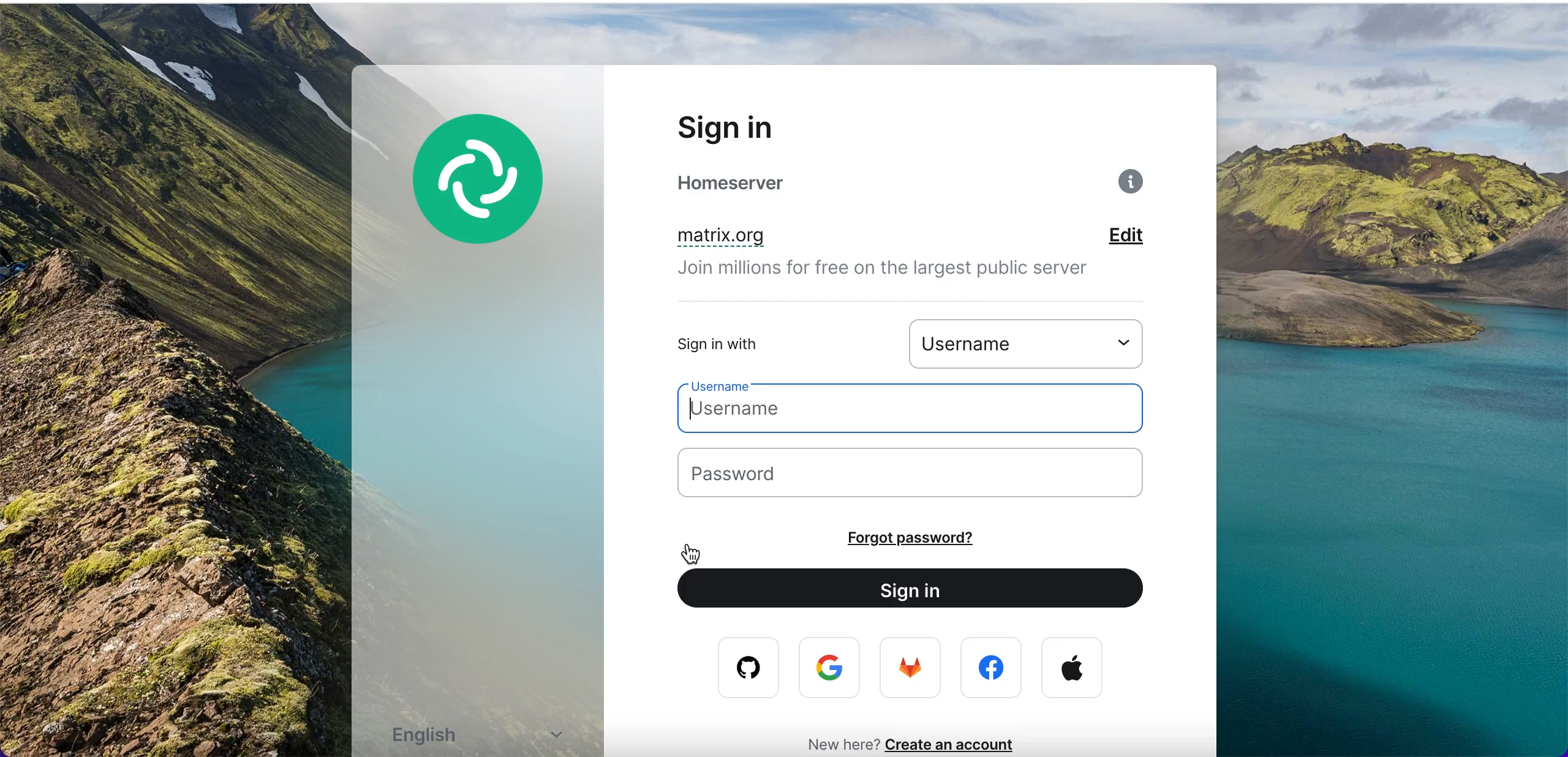  I want to click on google logo, so click(832, 669).